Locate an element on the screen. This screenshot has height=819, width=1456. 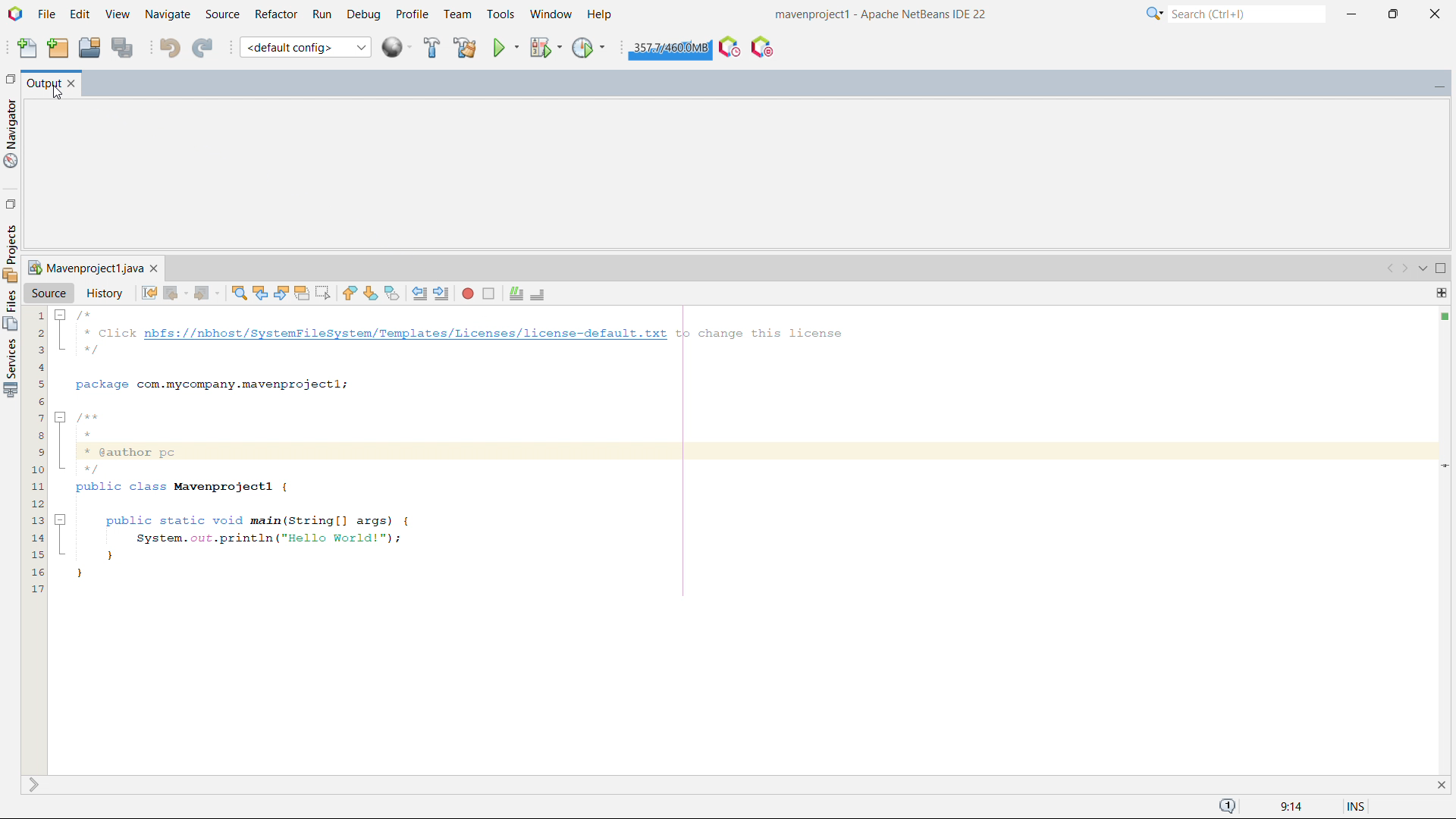
build project is located at coordinates (431, 48).